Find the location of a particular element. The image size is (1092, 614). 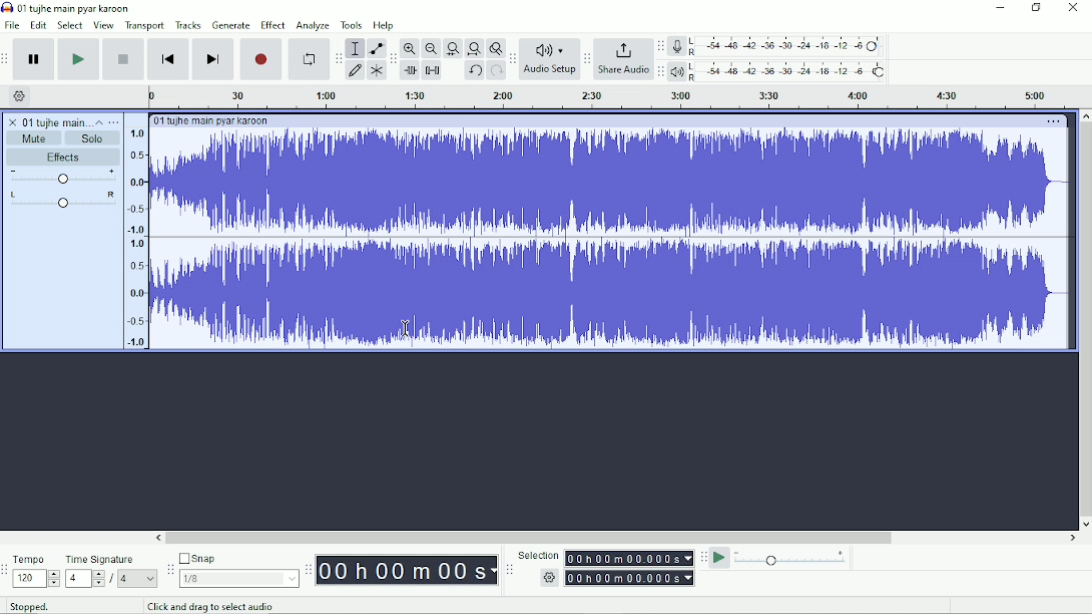

Click and drag to select audio is located at coordinates (210, 606).